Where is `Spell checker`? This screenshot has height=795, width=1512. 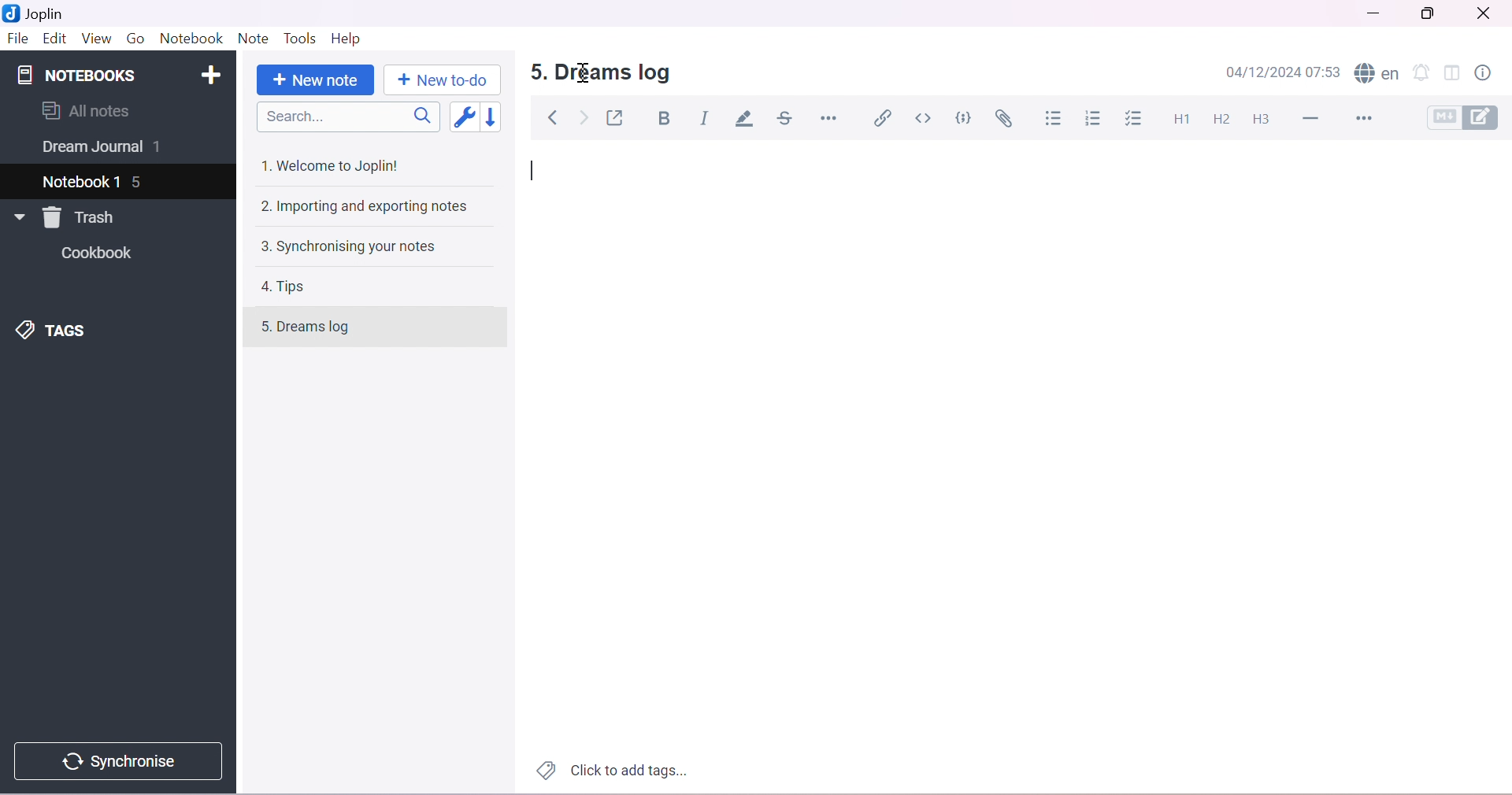 Spell checker is located at coordinates (1378, 74).